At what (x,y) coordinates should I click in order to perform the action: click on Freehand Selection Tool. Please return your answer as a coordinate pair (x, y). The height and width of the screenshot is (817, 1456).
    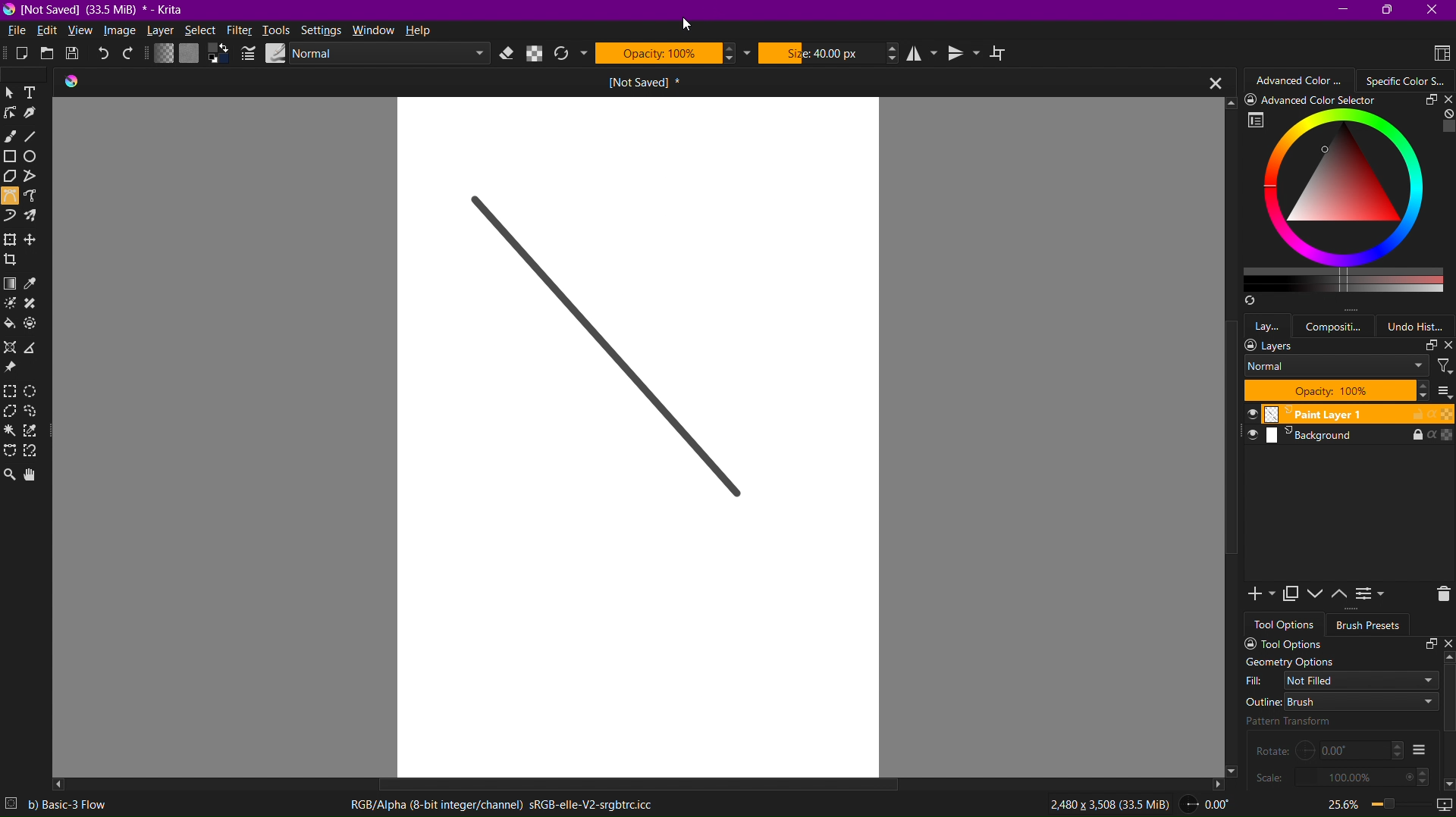
    Looking at the image, I should click on (36, 414).